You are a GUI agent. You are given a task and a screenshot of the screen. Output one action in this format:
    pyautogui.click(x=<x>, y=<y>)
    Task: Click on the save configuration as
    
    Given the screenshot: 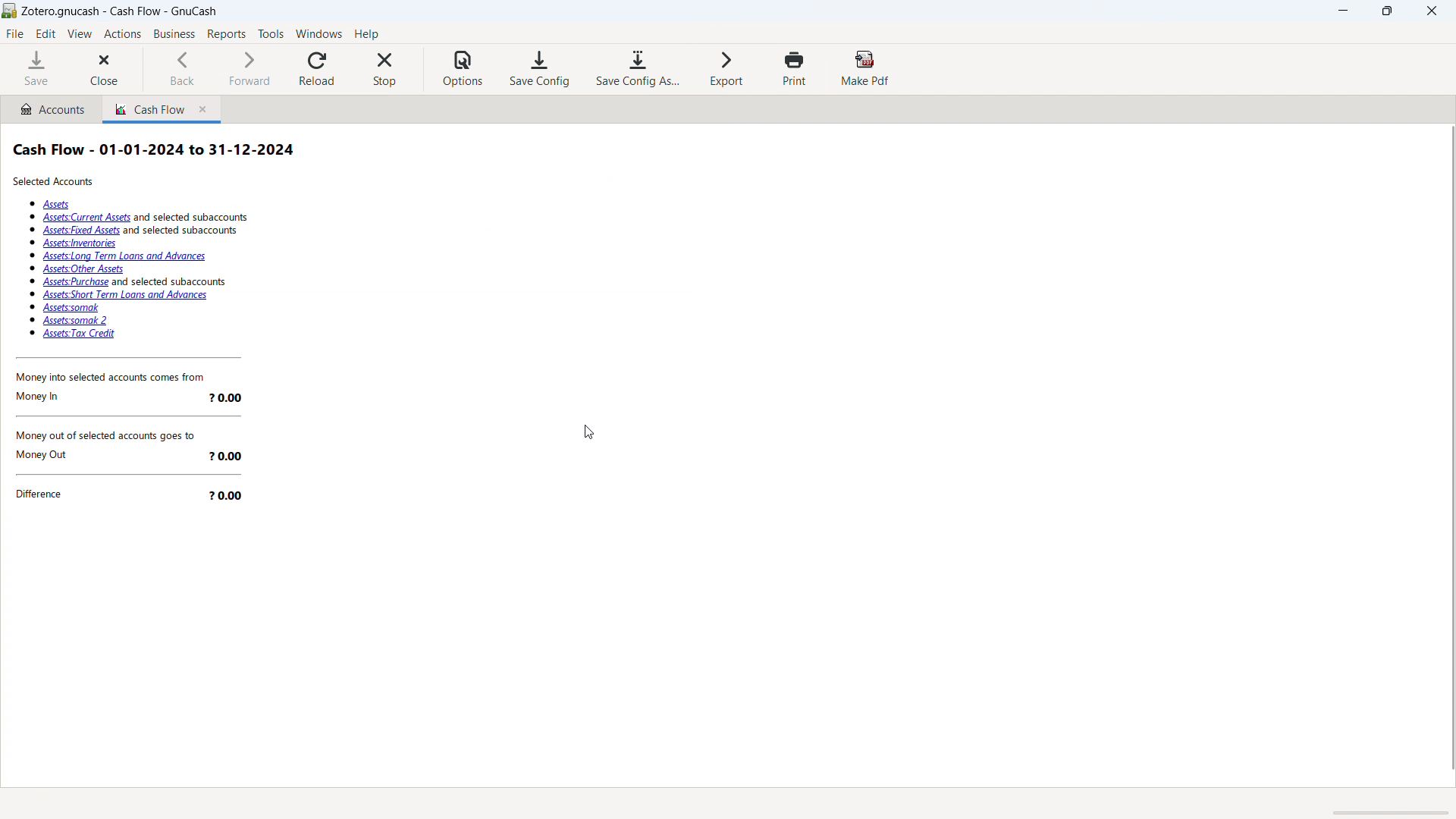 What is the action you would take?
    pyautogui.click(x=639, y=69)
    